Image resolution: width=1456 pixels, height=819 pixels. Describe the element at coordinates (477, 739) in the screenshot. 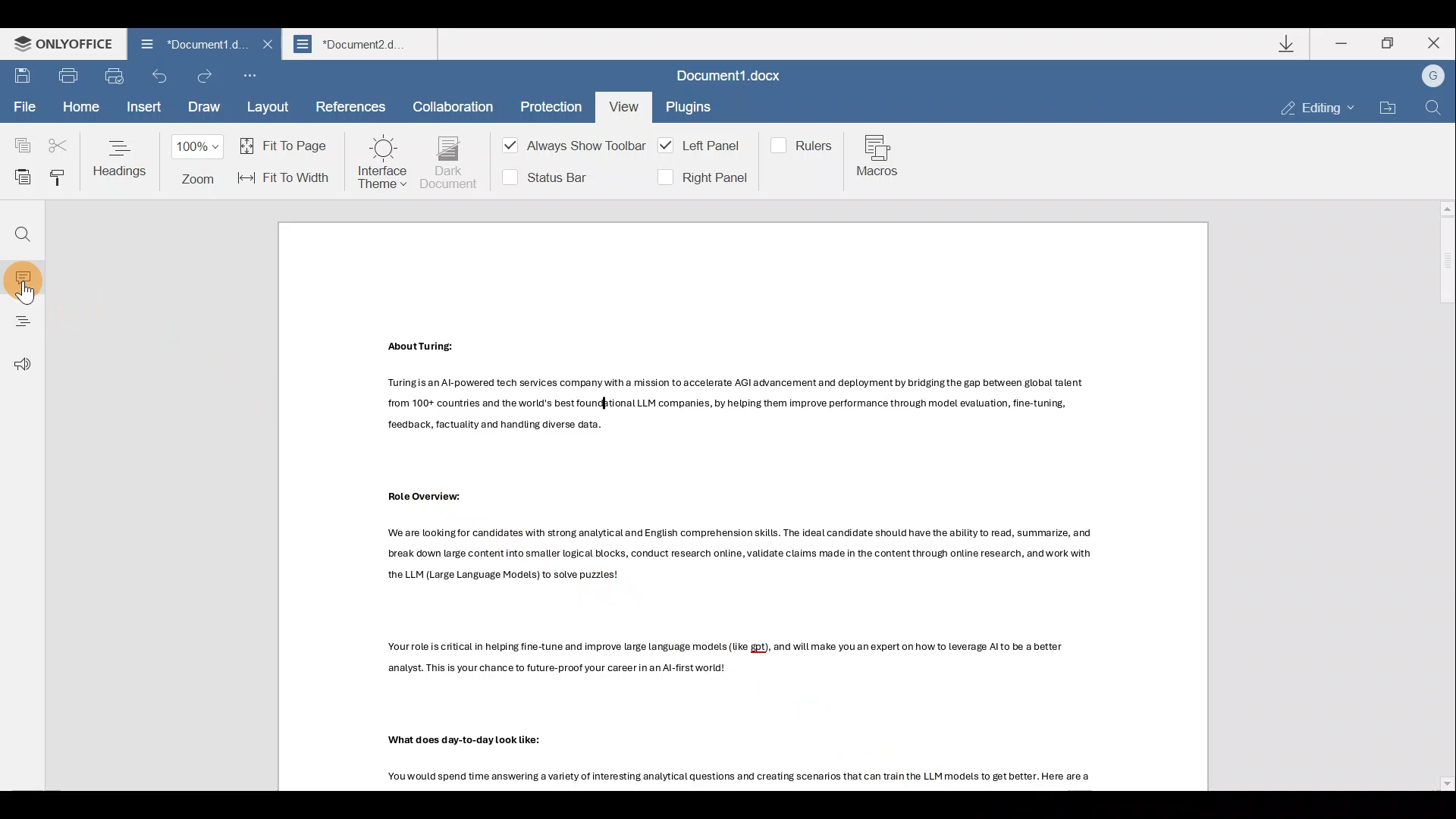

I see `` at that location.